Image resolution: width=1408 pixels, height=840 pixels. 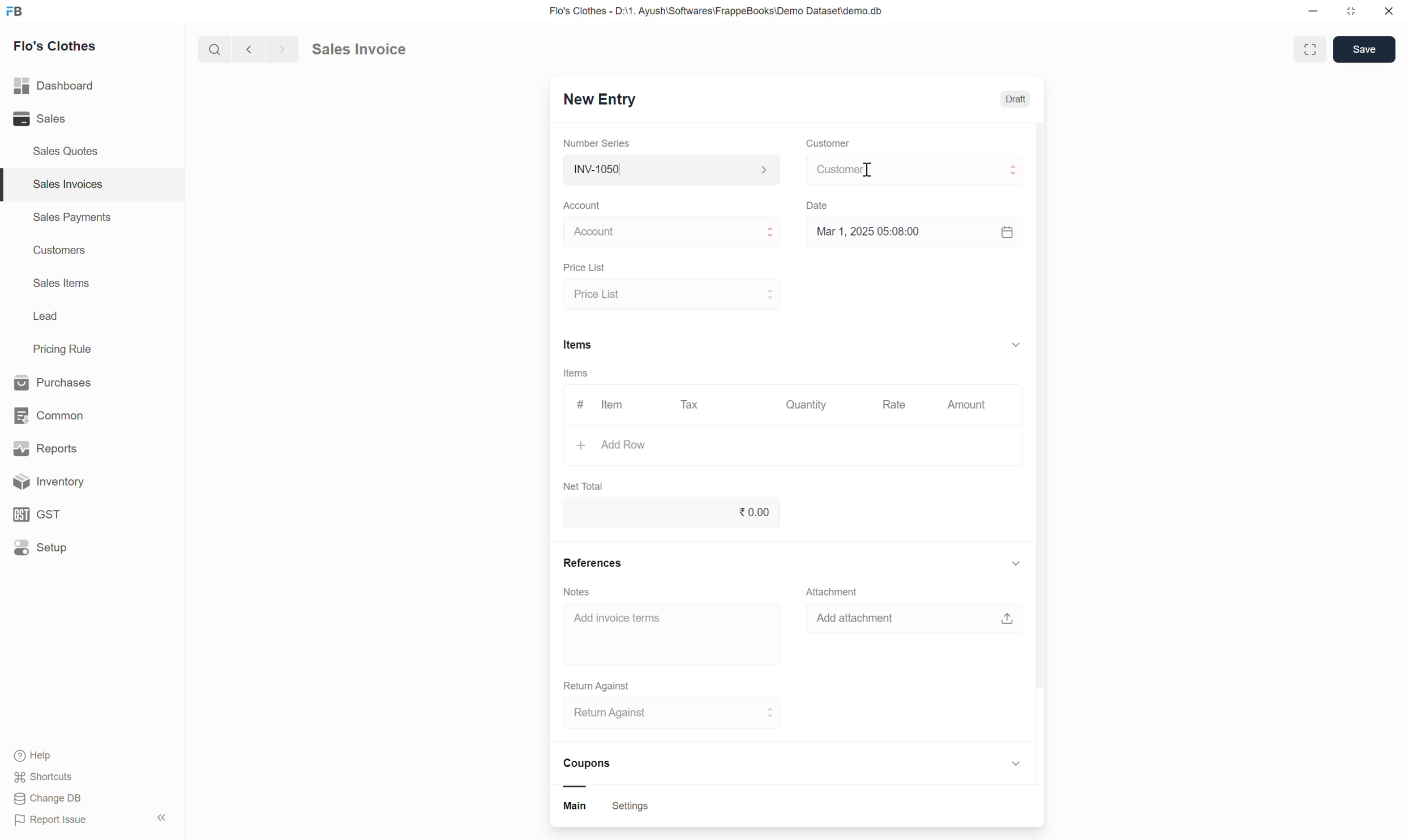 What do you see at coordinates (374, 48) in the screenshot?
I see `sales invoice ` at bounding box center [374, 48].